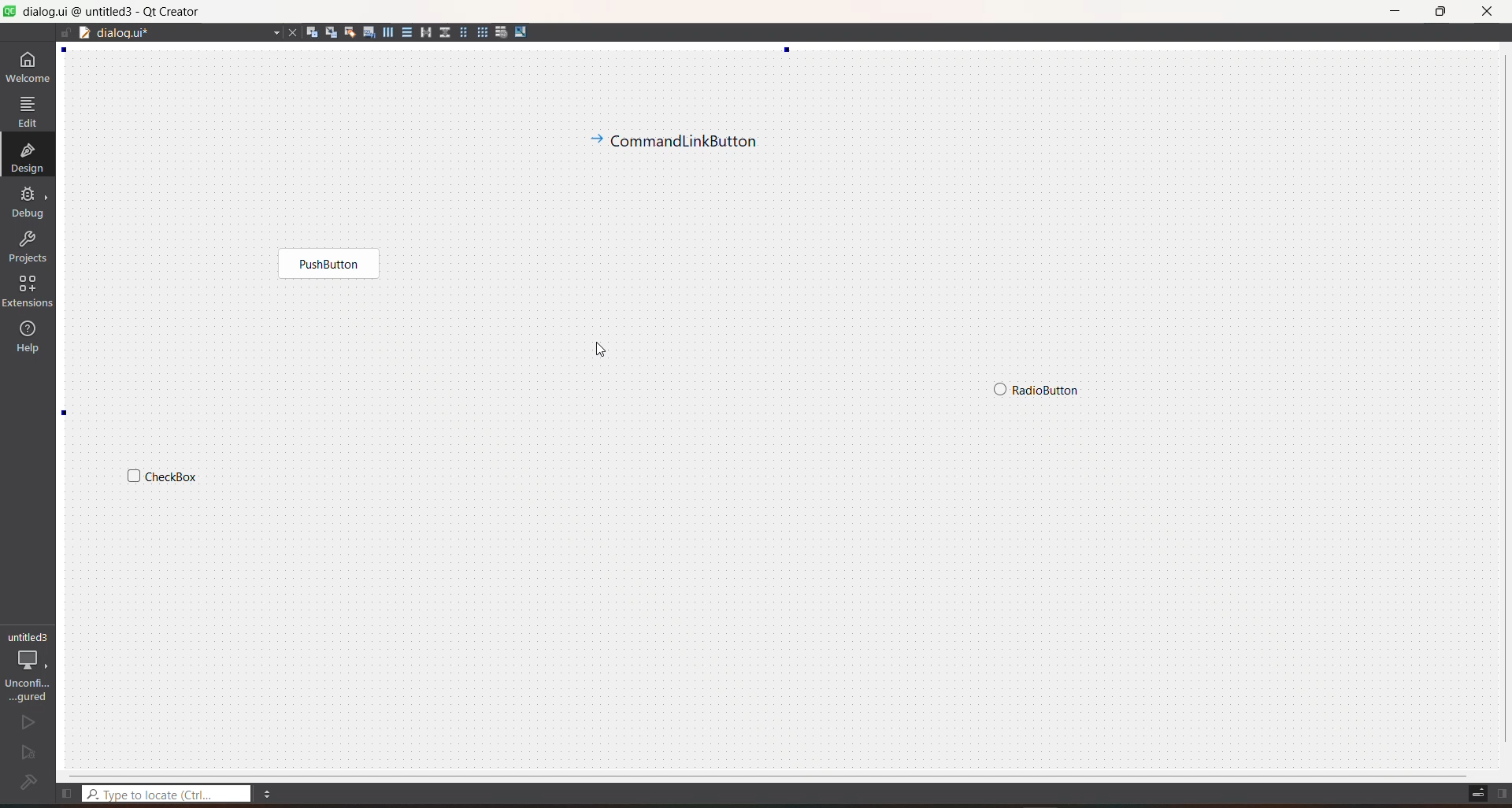  What do you see at coordinates (28, 336) in the screenshot?
I see `help` at bounding box center [28, 336].